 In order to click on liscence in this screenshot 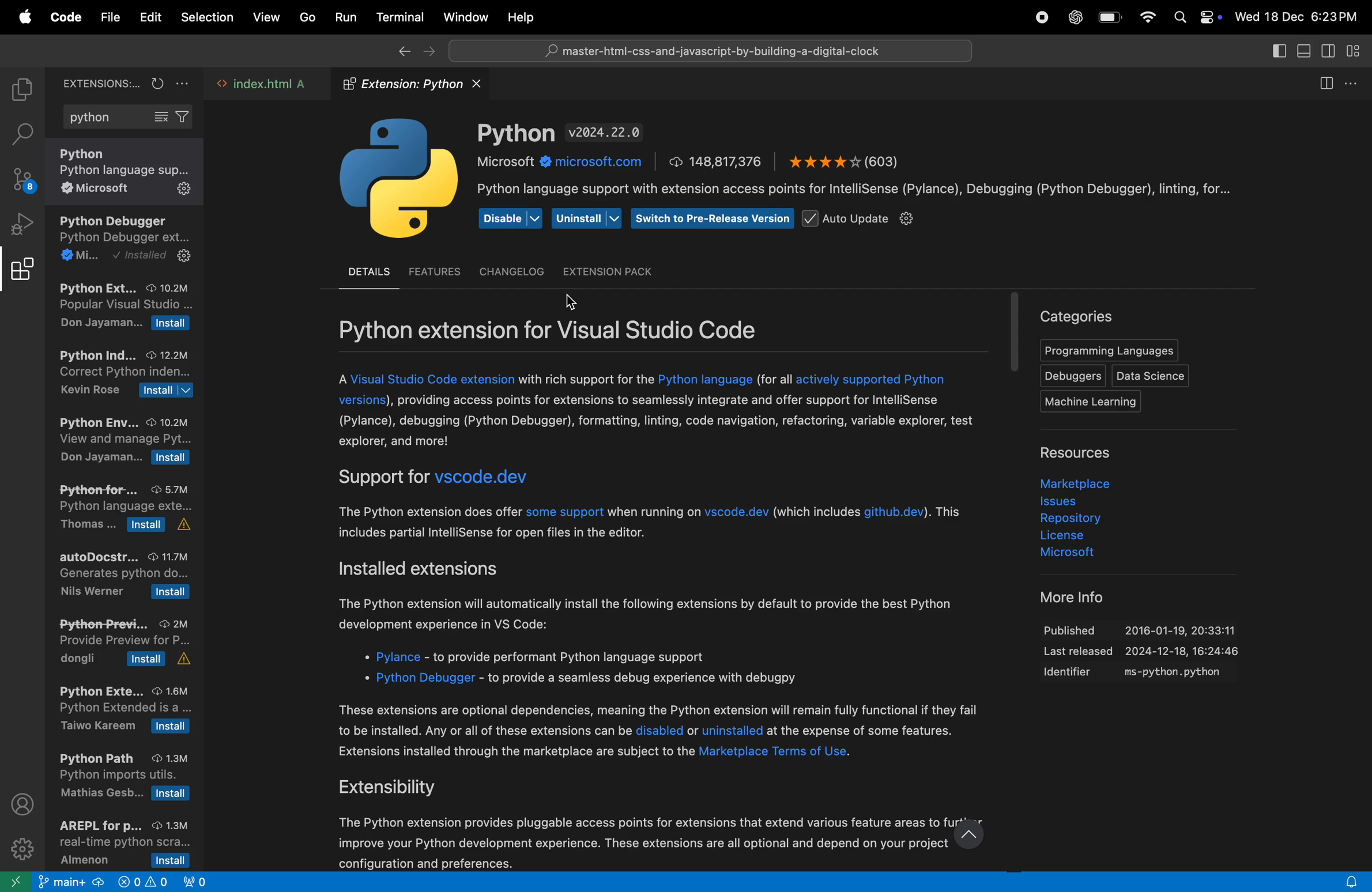, I will do `click(1076, 537)`.